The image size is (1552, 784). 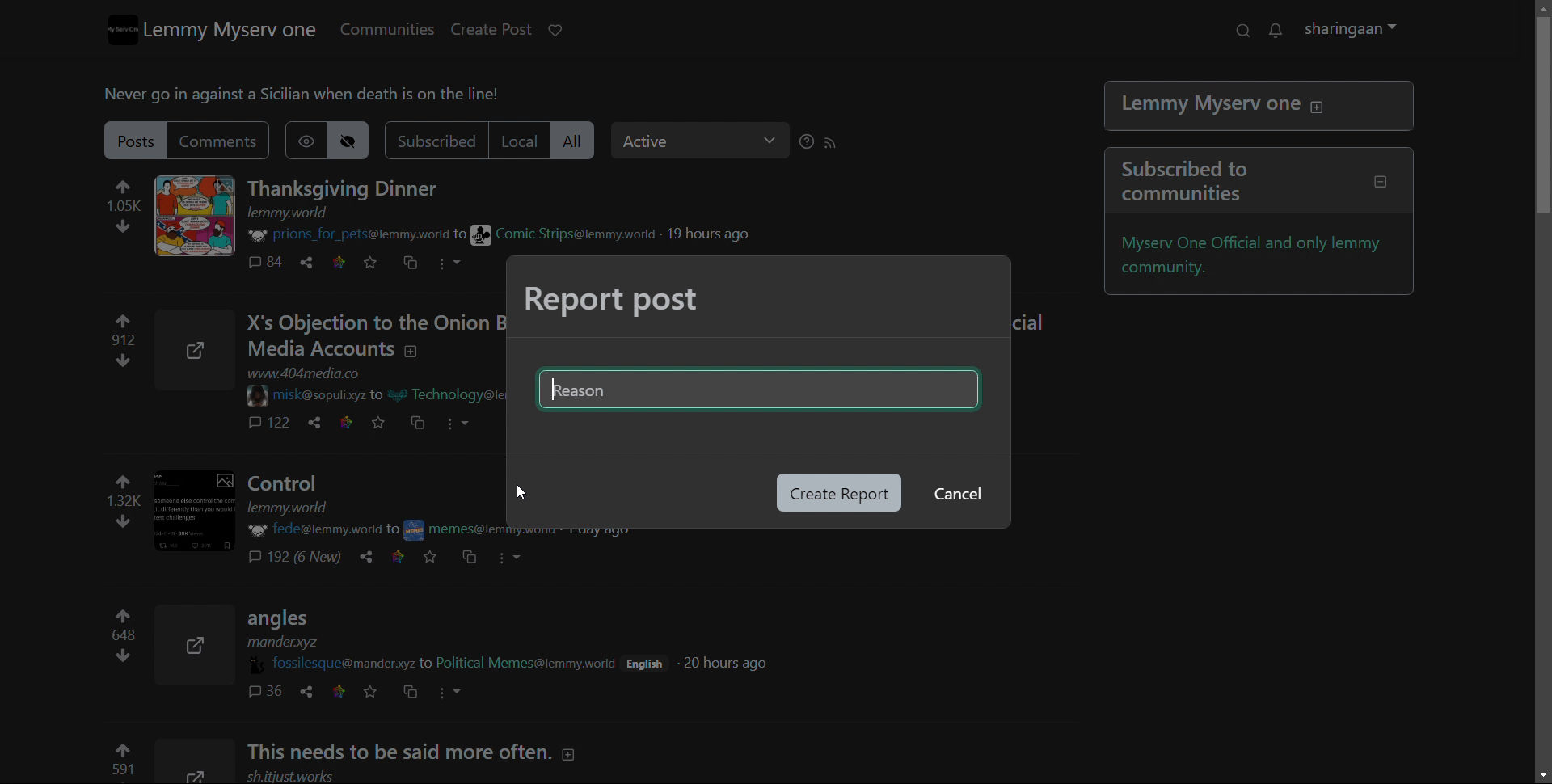 What do you see at coordinates (339, 663) in the screenshot?
I see `username` at bounding box center [339, 663].